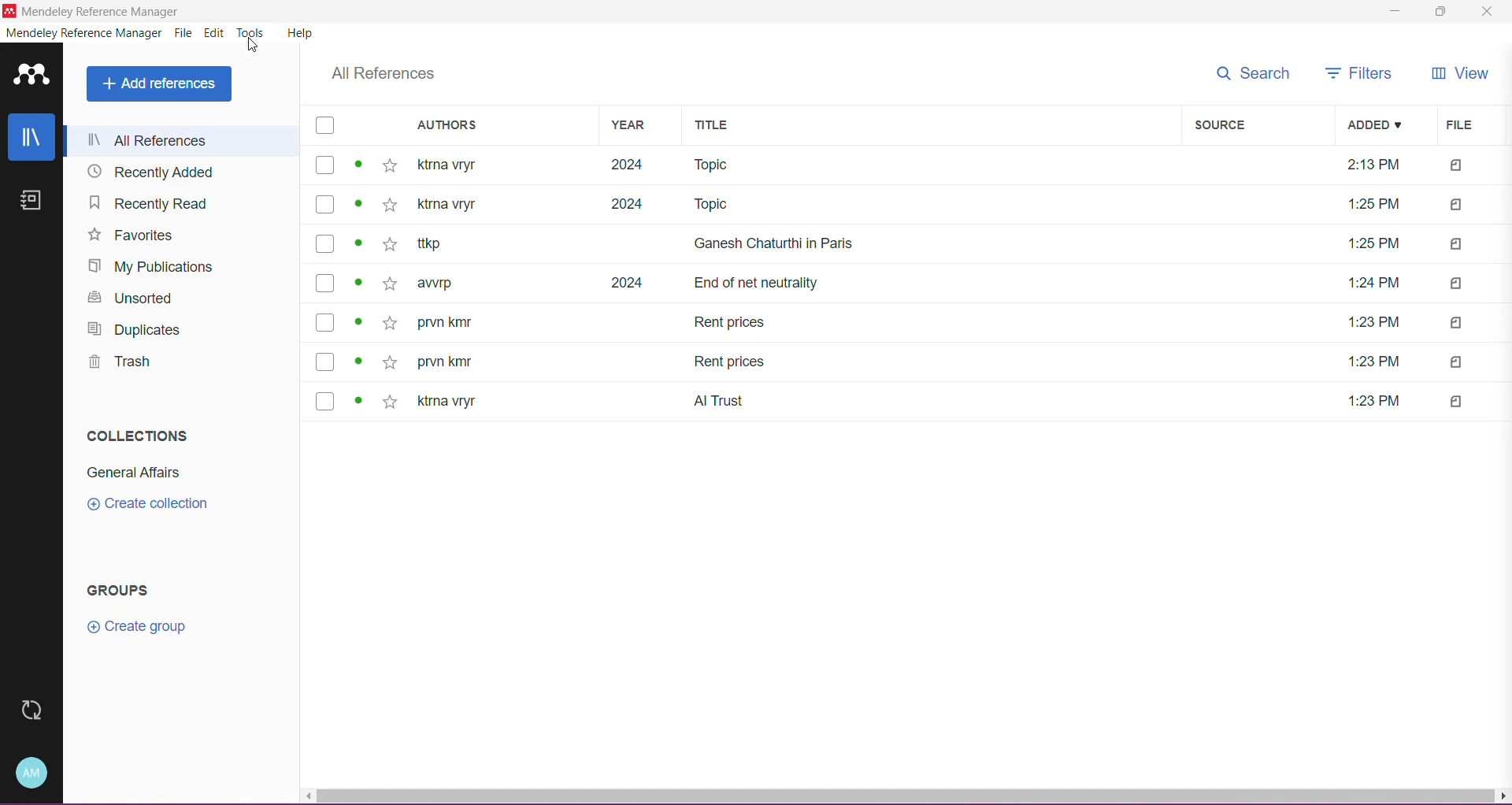 The image size is (1512, 805). What do you see at coordinates (1458, 284) in the screenshot?
I see `file` at bounding box center [1458, 284].